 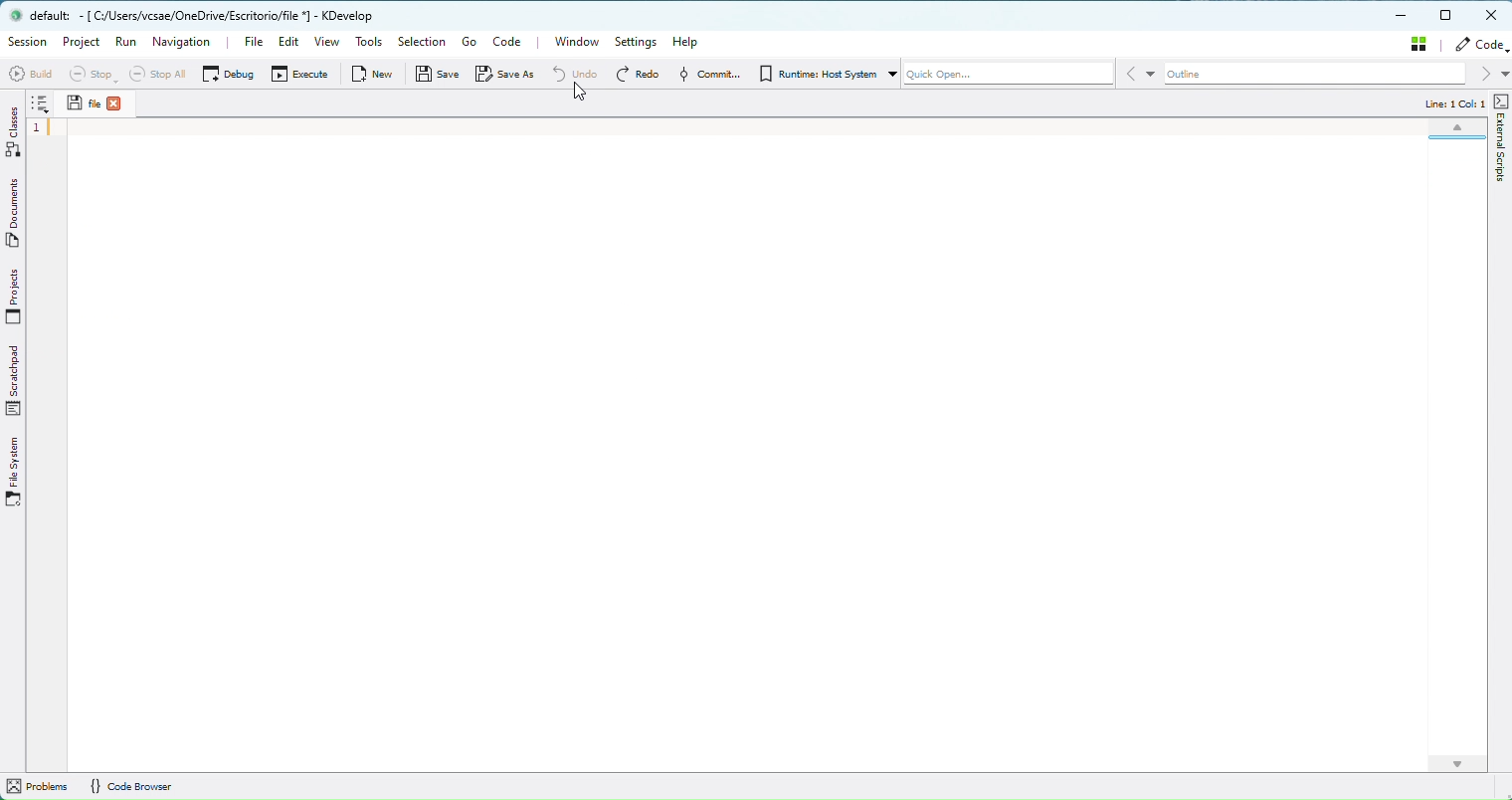 I want to click on Run, so click(x=127, y=43).